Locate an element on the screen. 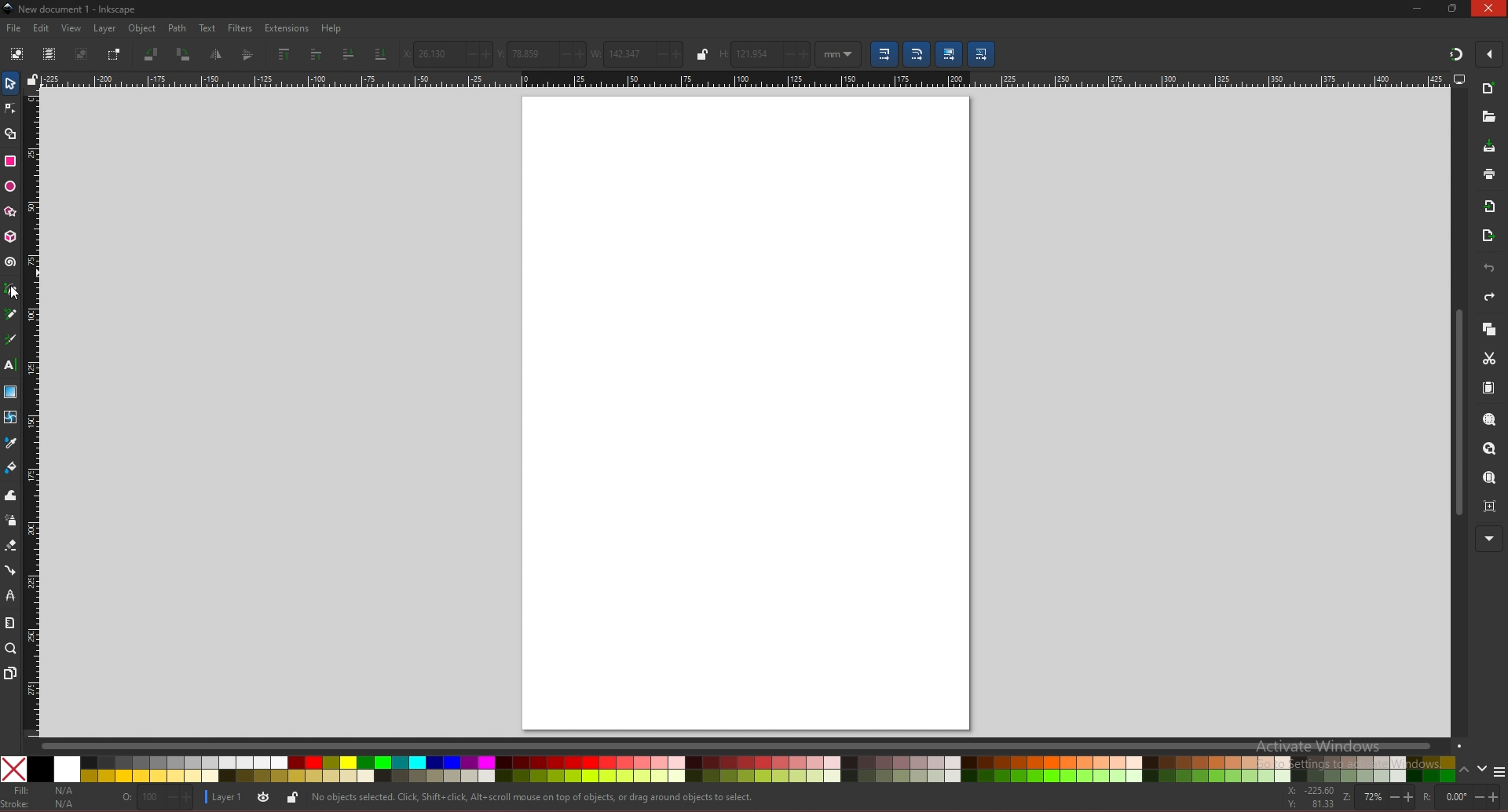 This screenshot has width=1508, height=812. width is located at coordinates (636, 53).